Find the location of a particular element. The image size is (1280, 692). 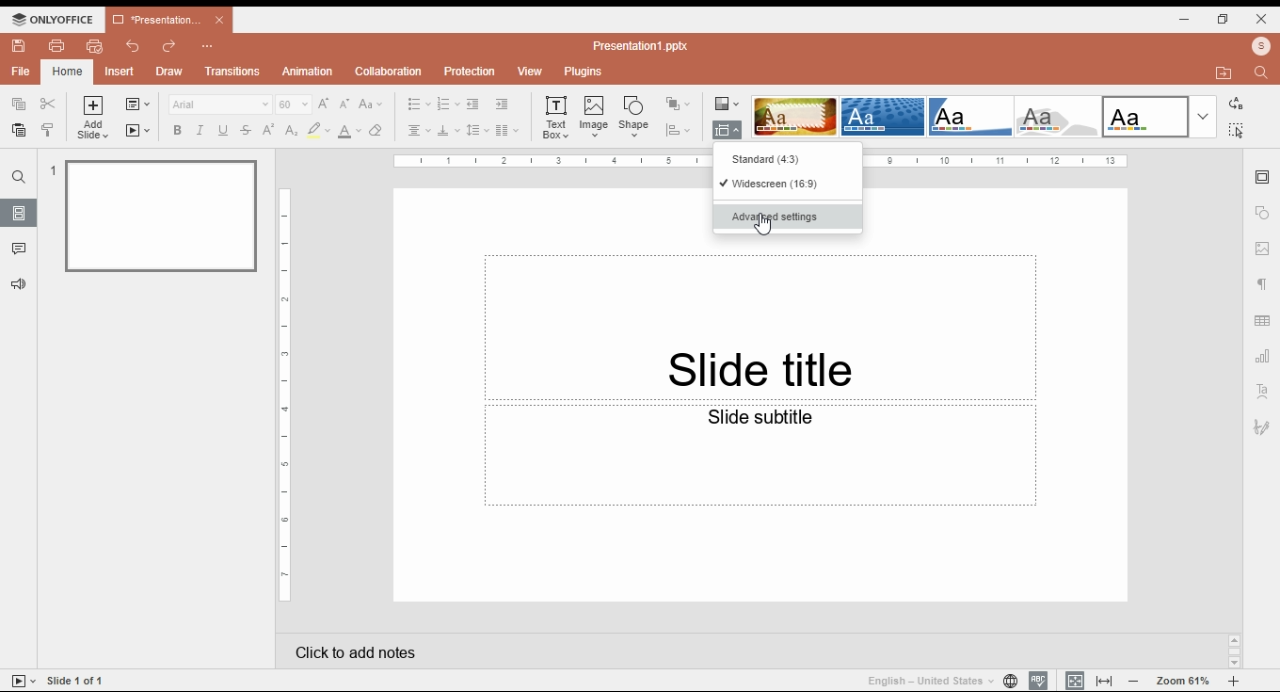

Presentation1.pptx is located at coordinates (644, 45).